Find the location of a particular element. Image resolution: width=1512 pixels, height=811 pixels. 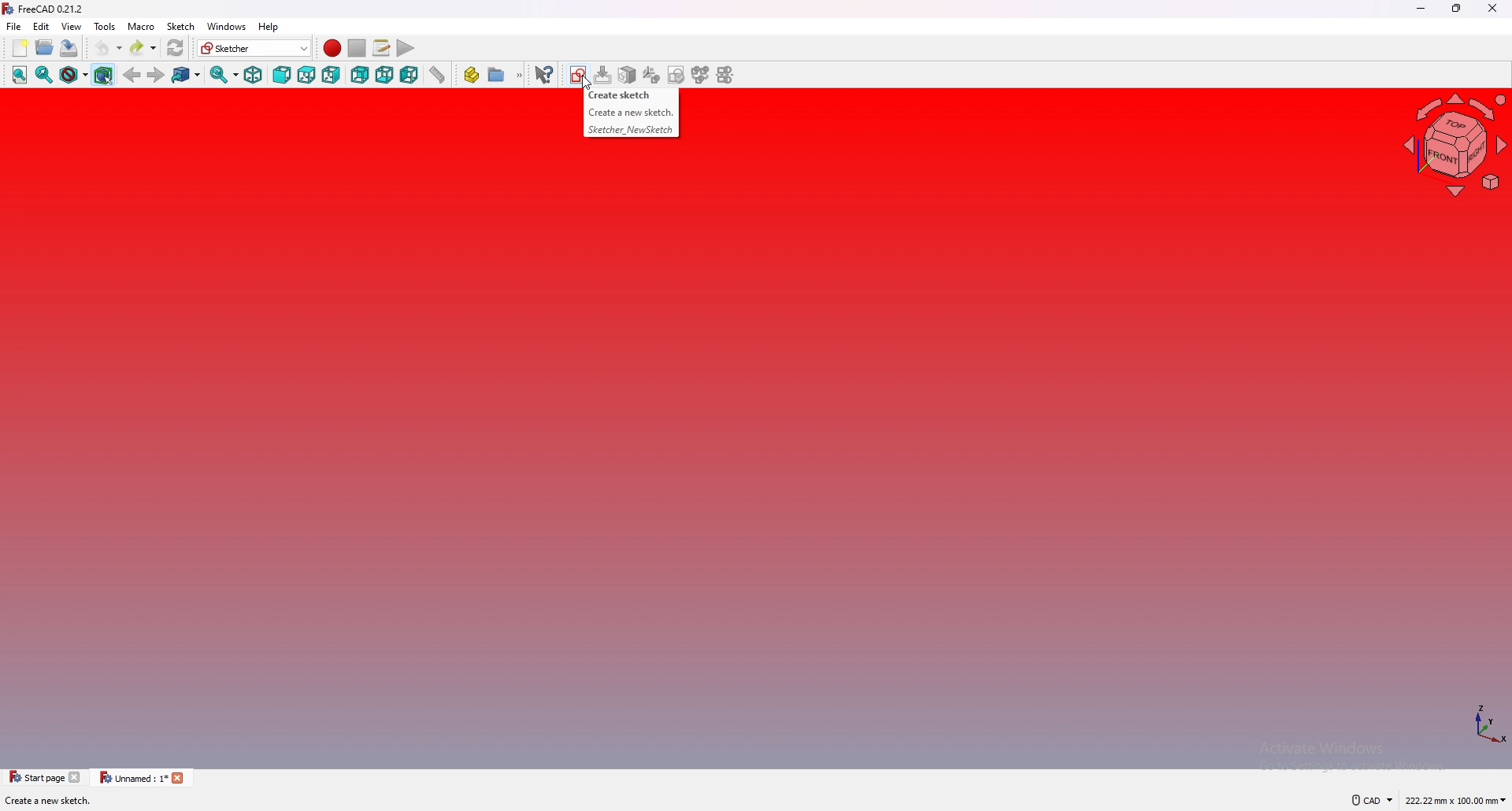

minimize is located at coordinates (1422, 9).